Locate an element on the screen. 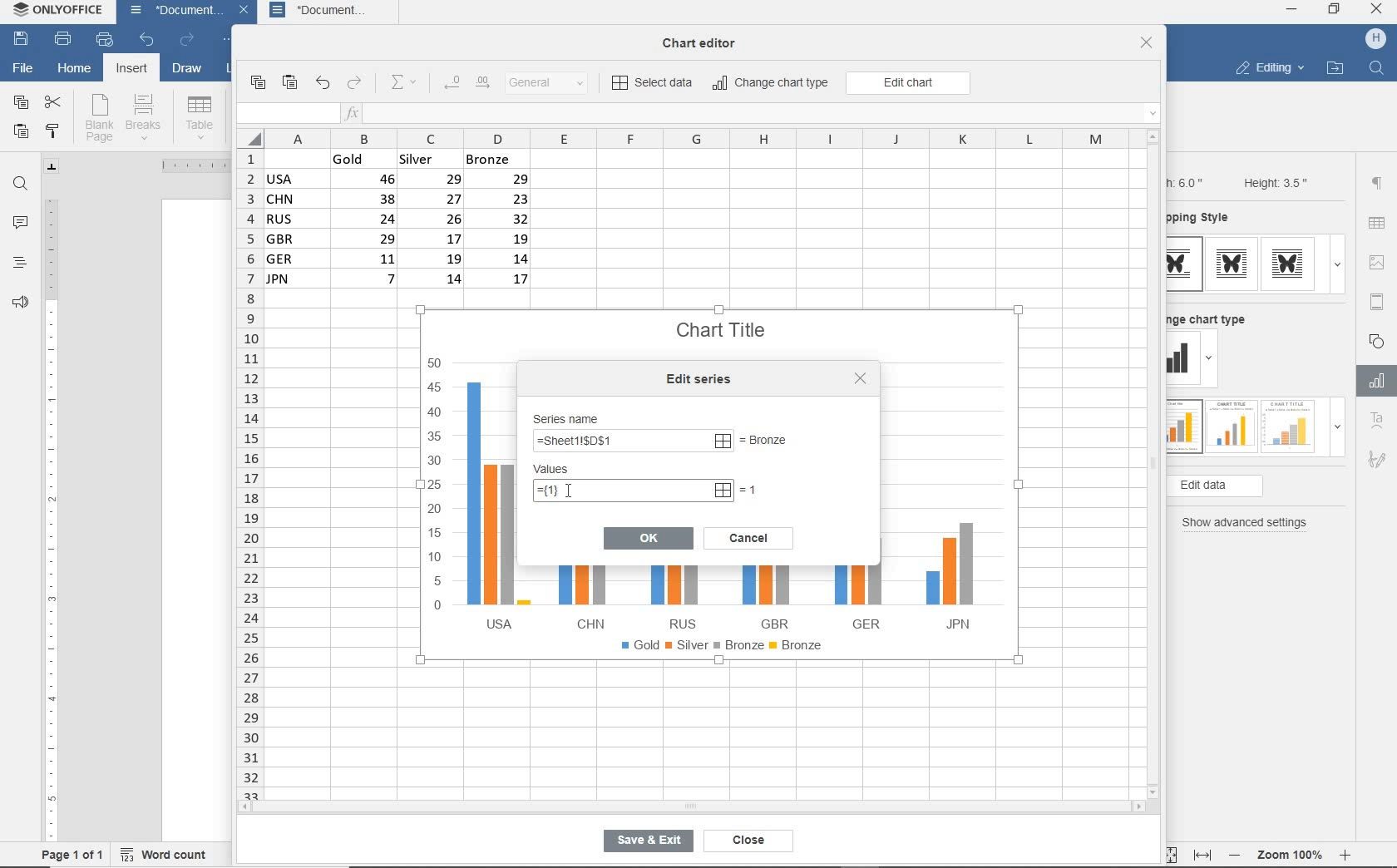  Chart settings is located at coordinates (1374, 381).